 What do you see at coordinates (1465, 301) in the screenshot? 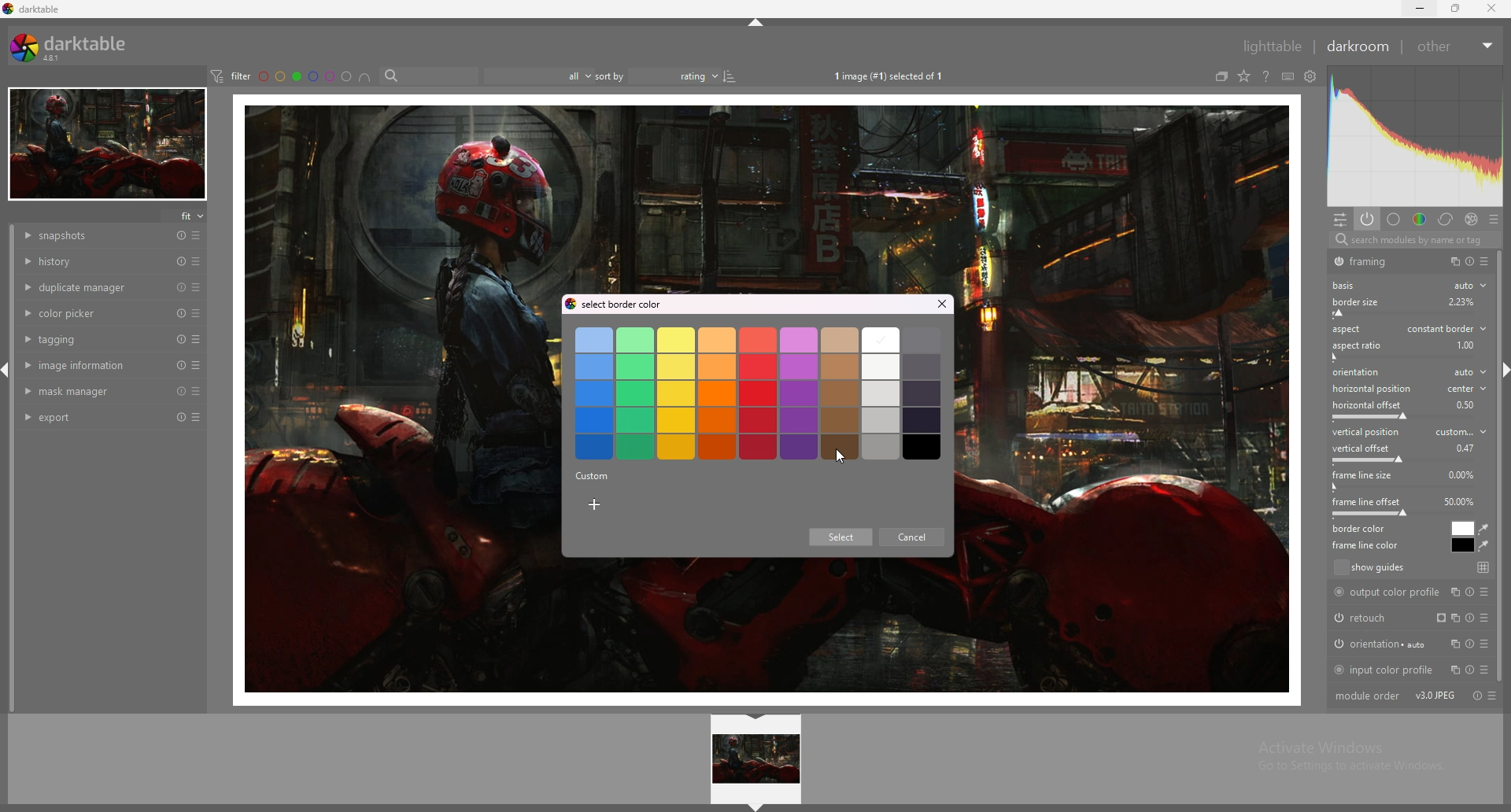
I see `` at bounding box center [1465, 301].